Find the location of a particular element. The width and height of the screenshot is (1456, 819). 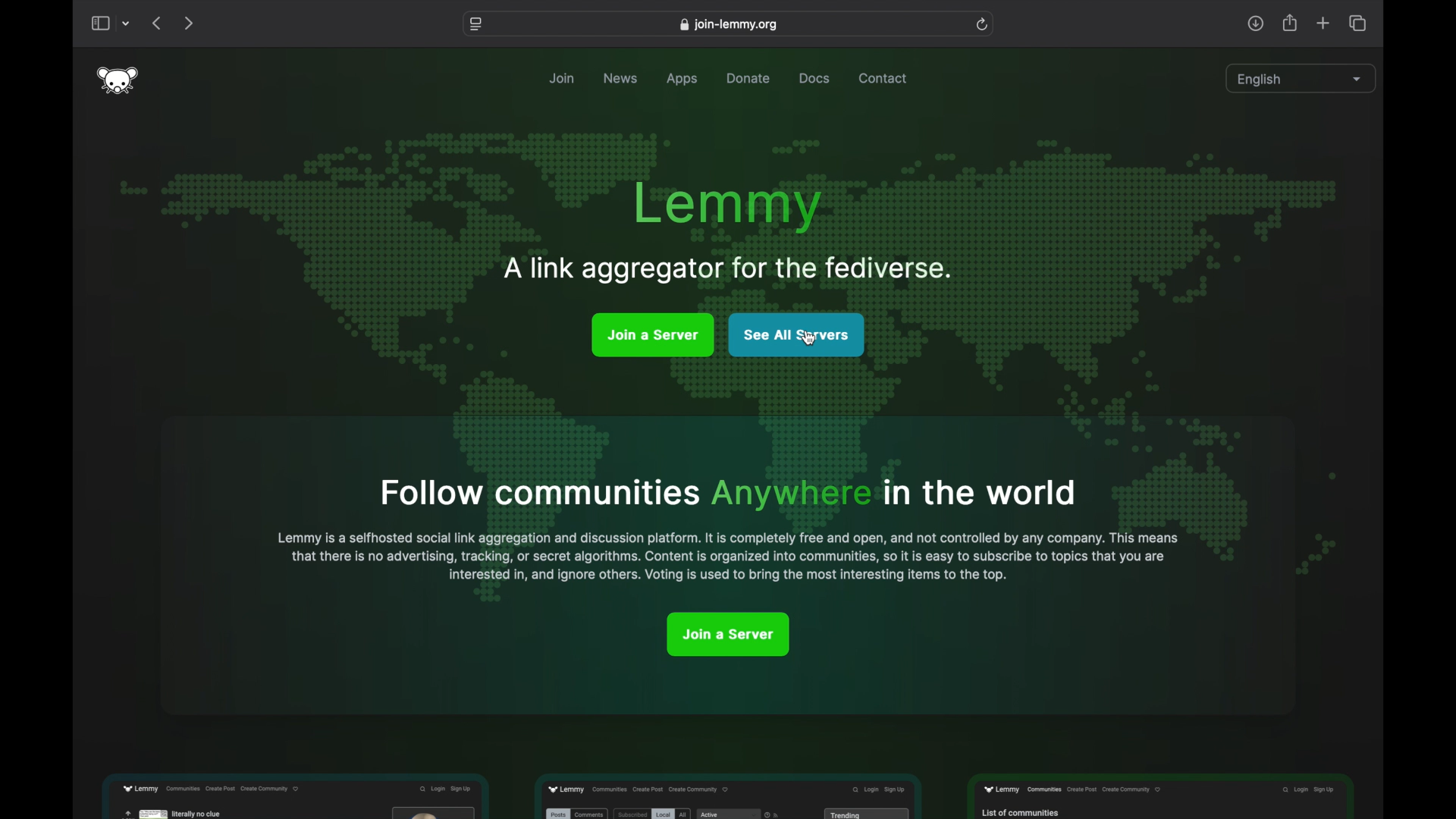

docs is located at coordinates (814, 78).